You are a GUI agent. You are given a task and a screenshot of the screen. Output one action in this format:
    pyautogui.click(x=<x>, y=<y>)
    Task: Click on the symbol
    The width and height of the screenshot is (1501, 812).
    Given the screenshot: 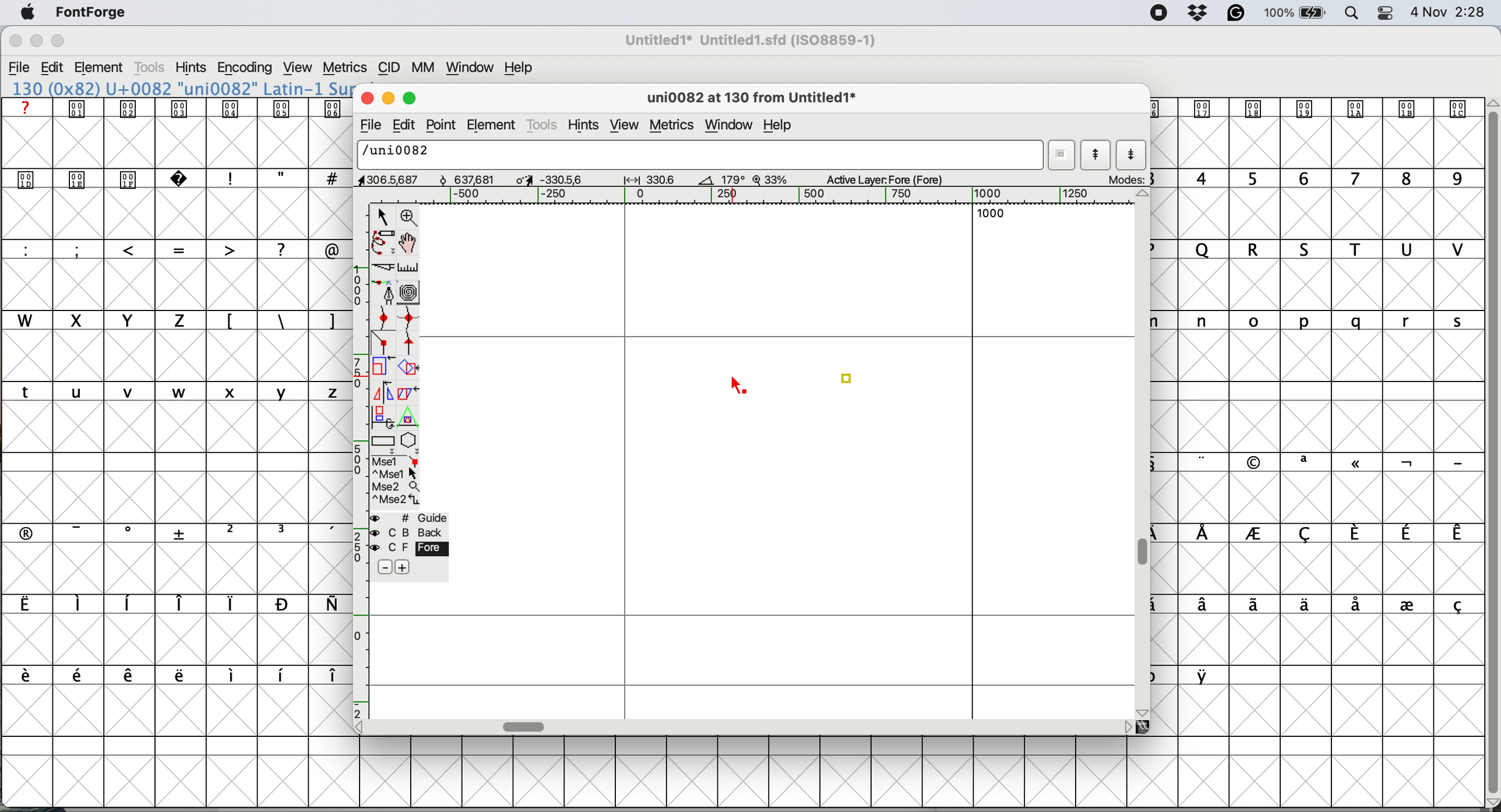 What is the action you would take?
    pyautogui.click(x=1206, y=675)
    